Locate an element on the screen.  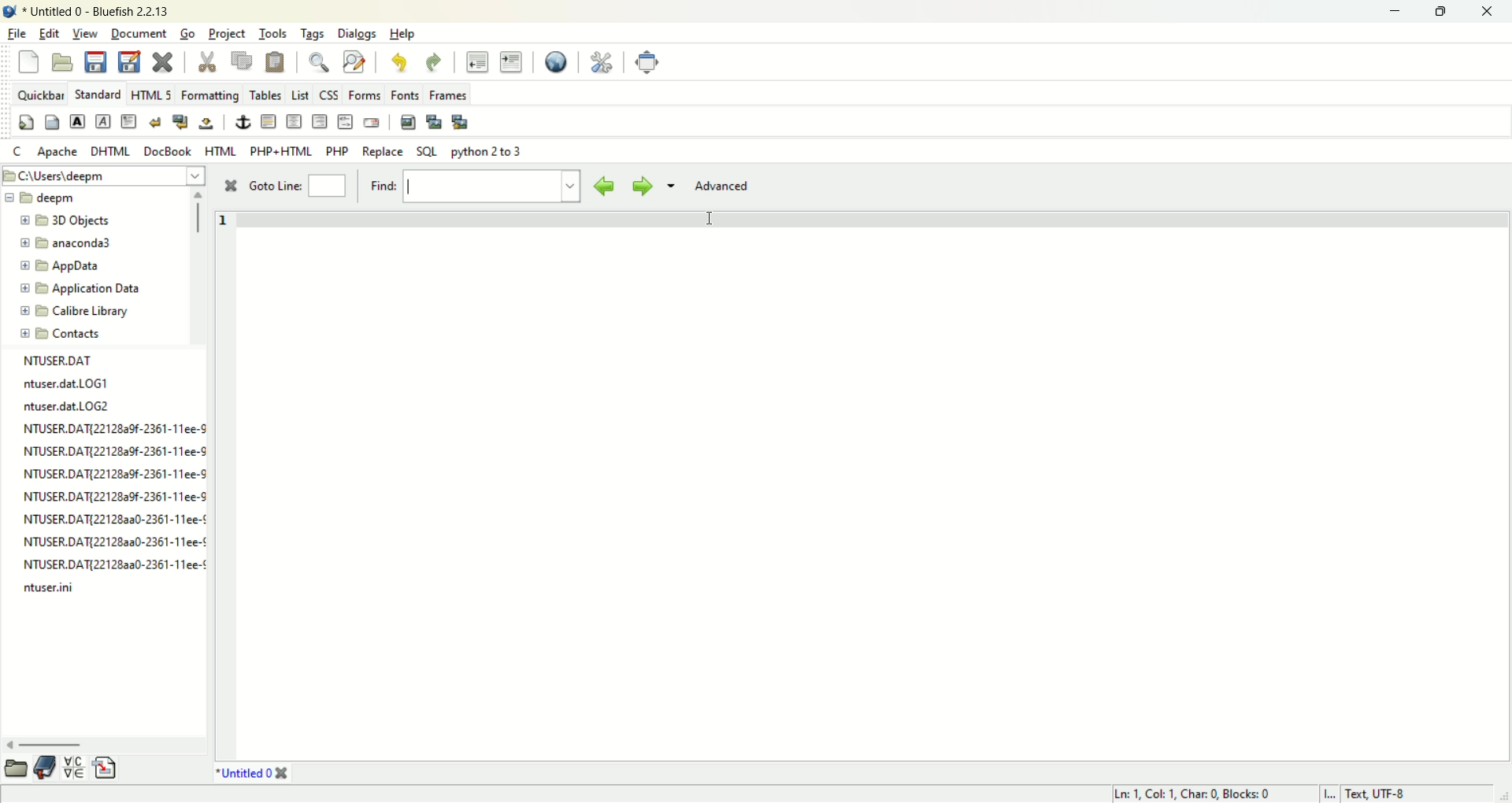
horizontal scroll bar is located at coordinates (50, 746).